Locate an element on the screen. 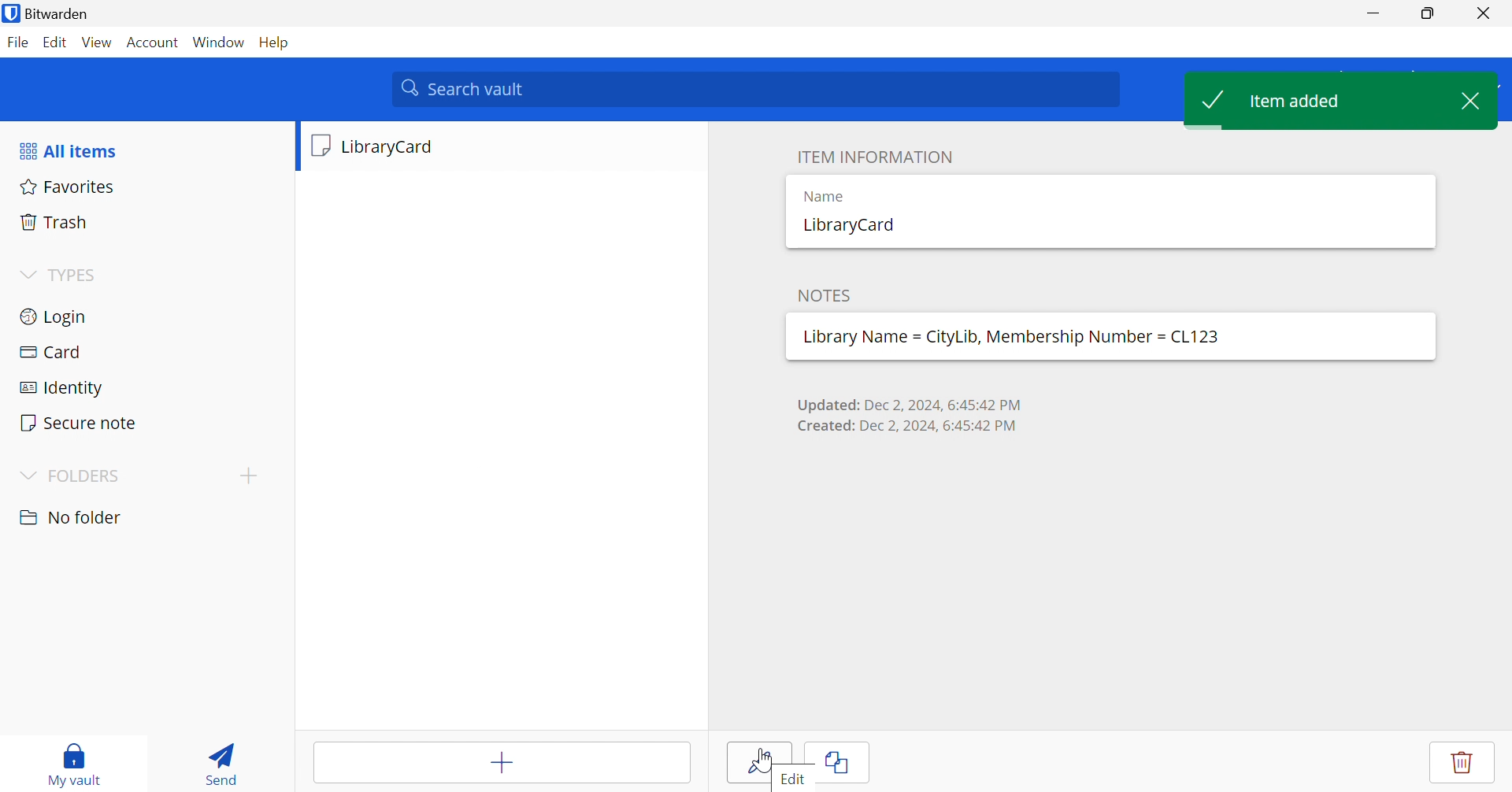 Image resolution: width=1512 pixels, height=792 pixels. File is located at coordinates (18, 43).